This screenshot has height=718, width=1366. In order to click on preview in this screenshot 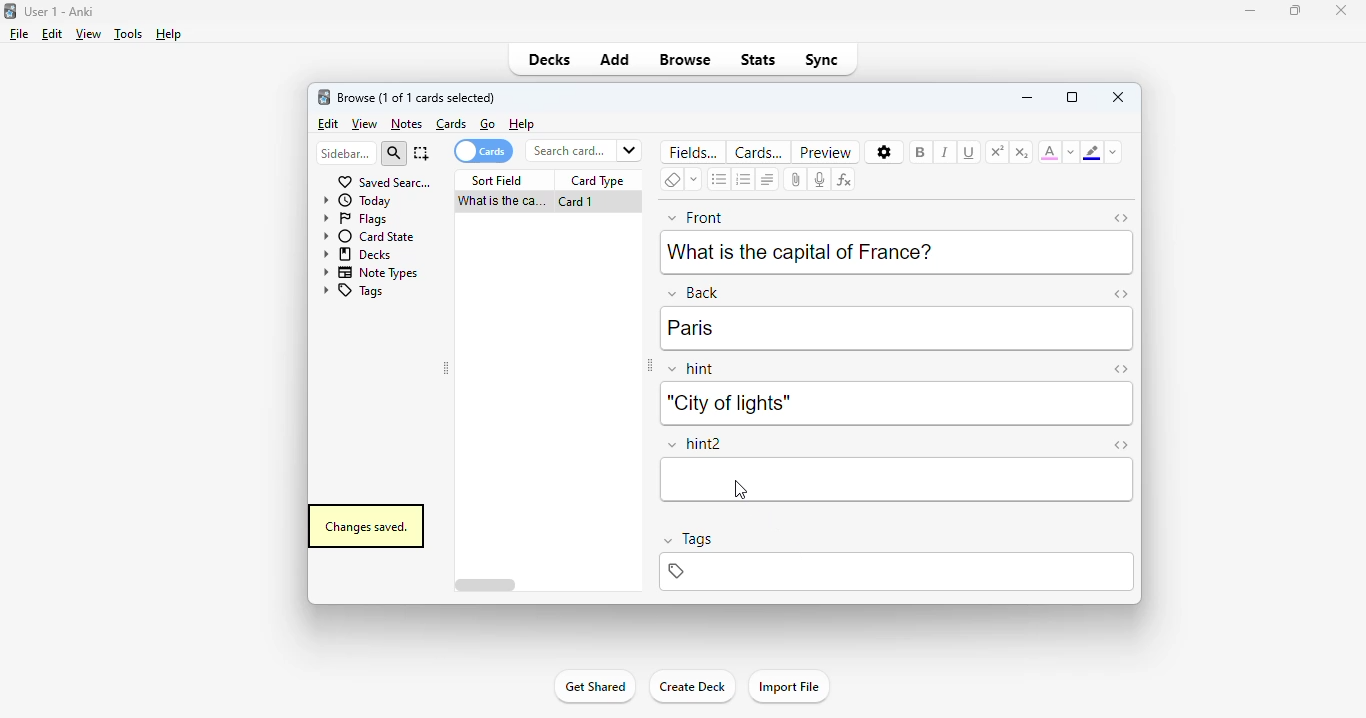, I will do `click(826, 152)`.